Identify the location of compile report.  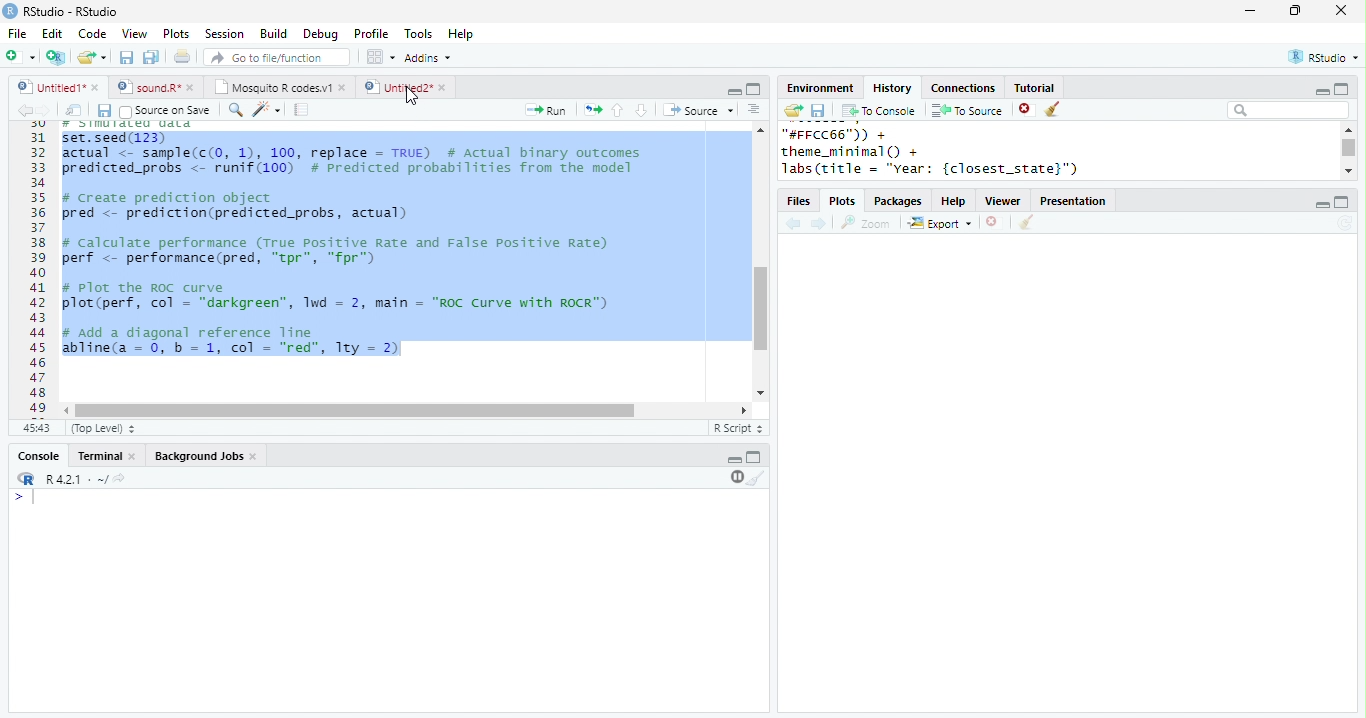
(302, 109).